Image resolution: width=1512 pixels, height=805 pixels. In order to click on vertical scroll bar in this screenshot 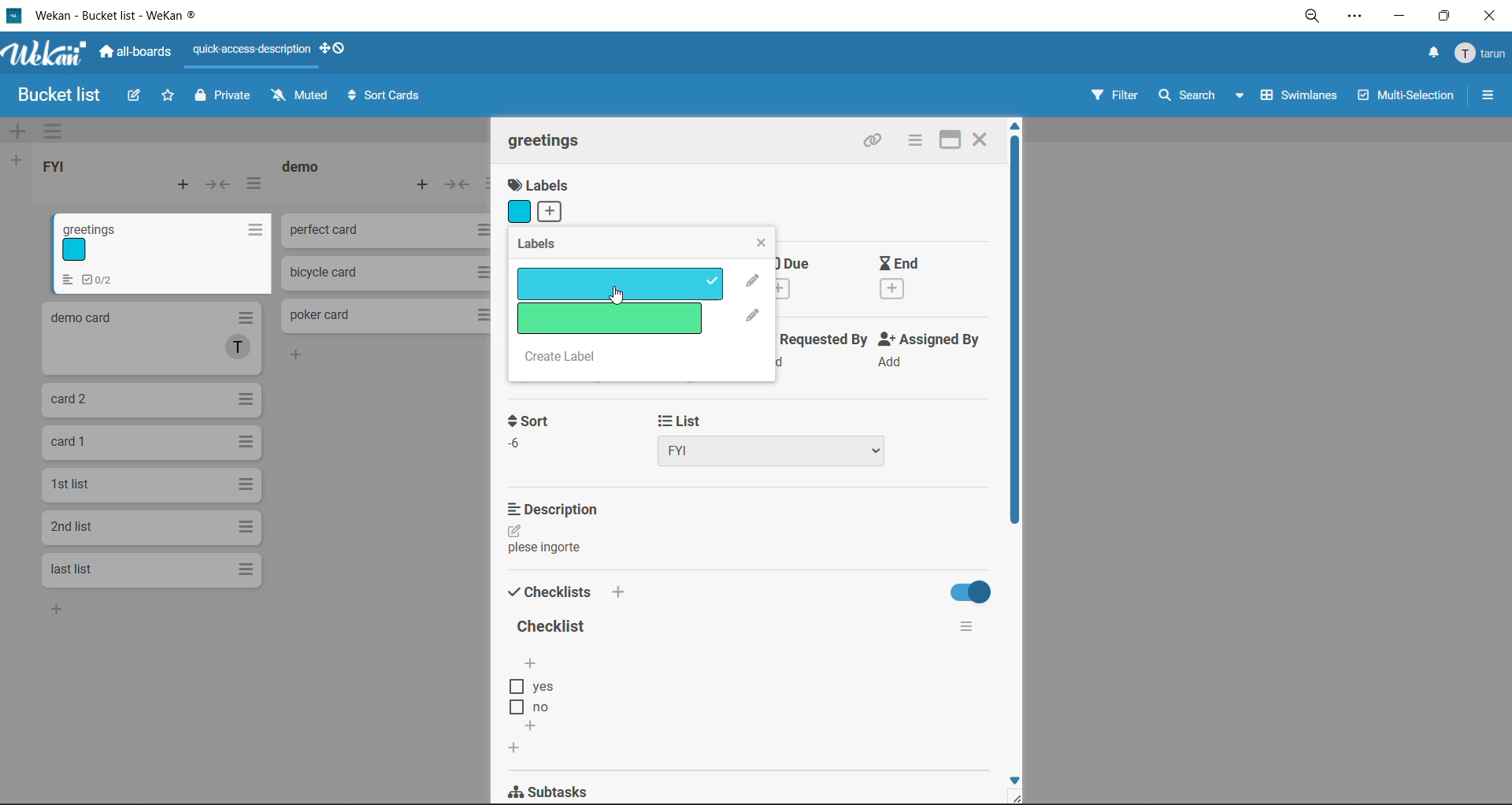, I will do `click(1016, 337)`.